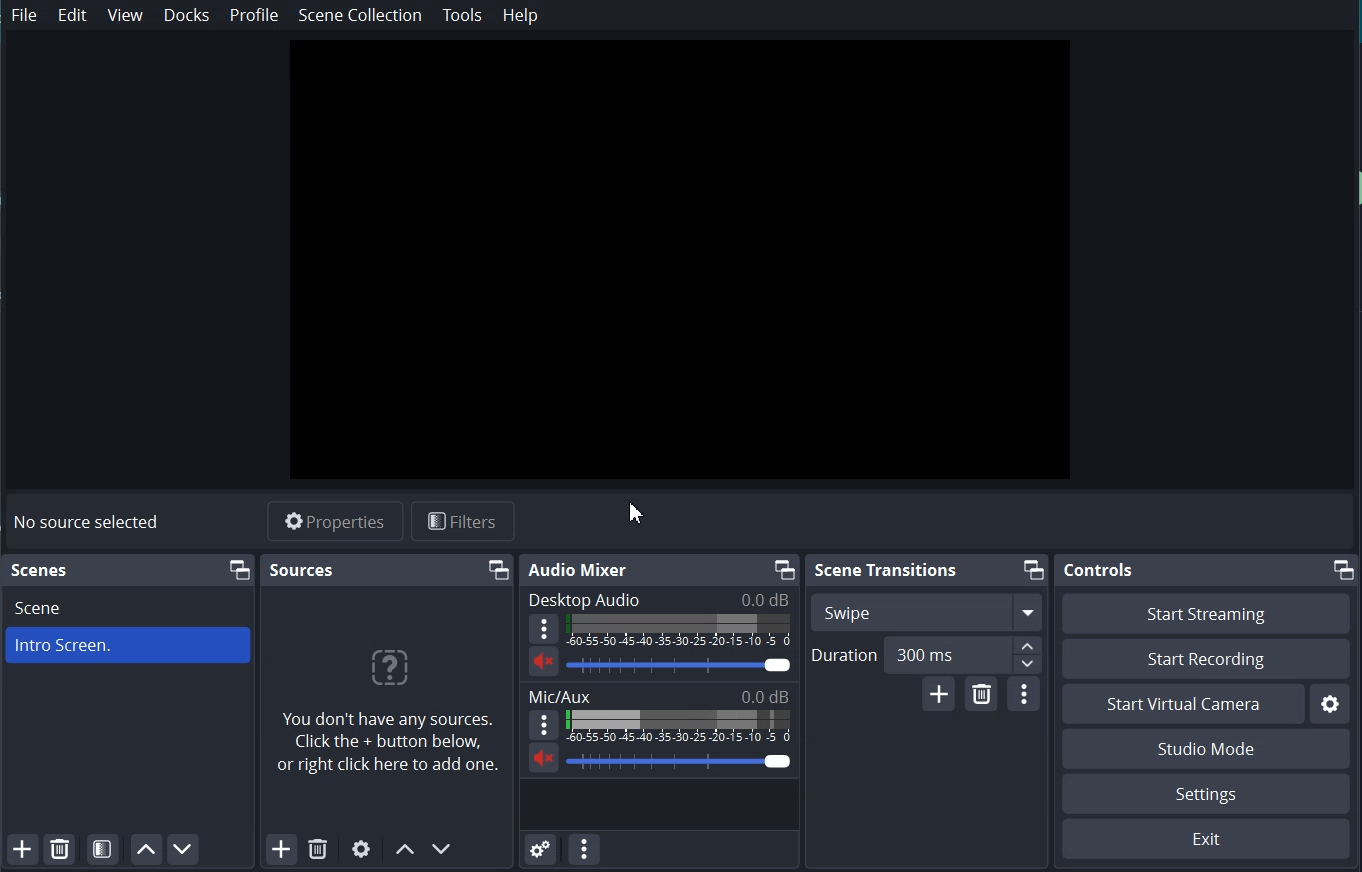  I want to click on Maximize, so click(1032, 570).